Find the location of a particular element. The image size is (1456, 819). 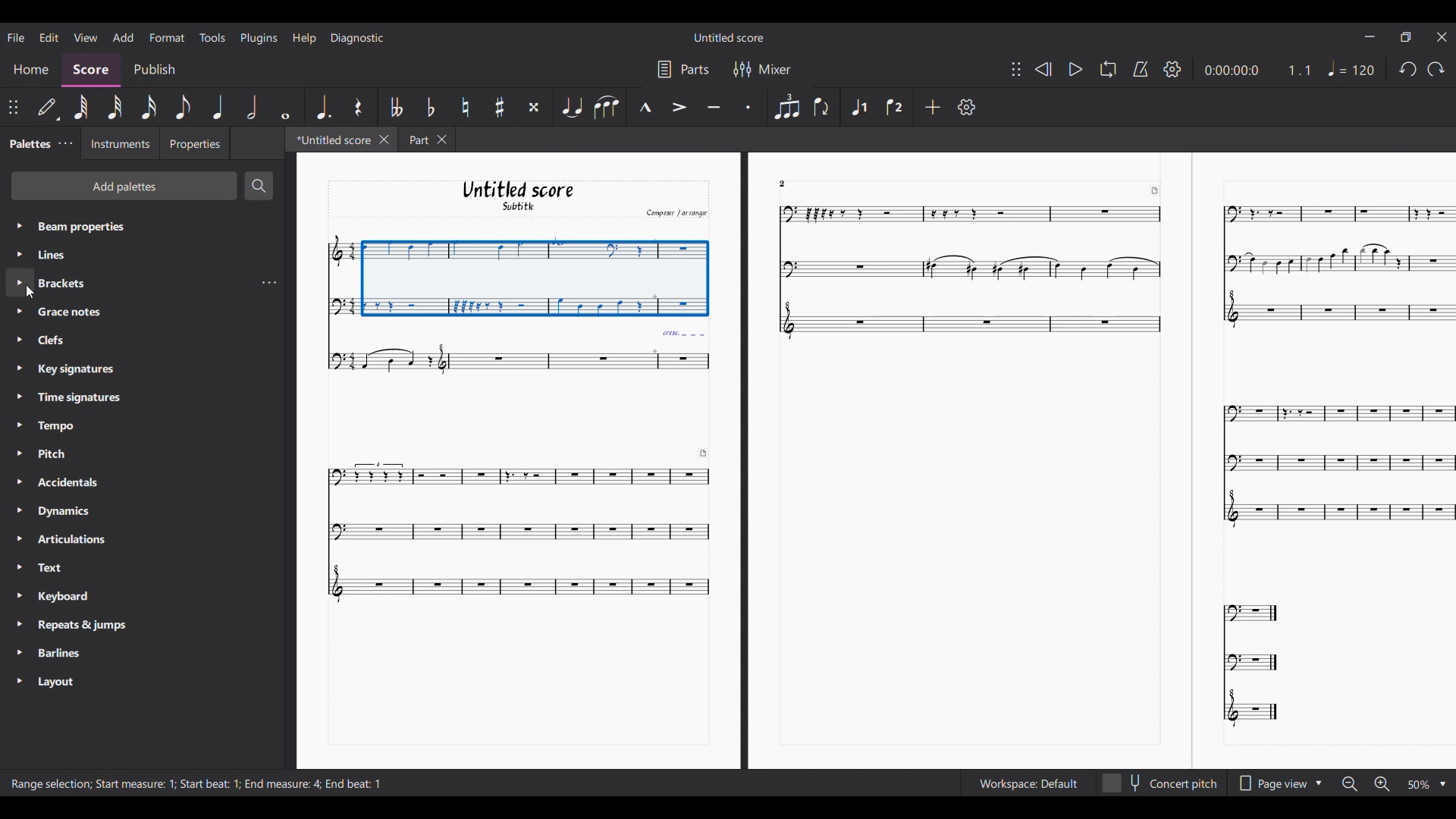

Current tab is located at coordinates (331, 139).